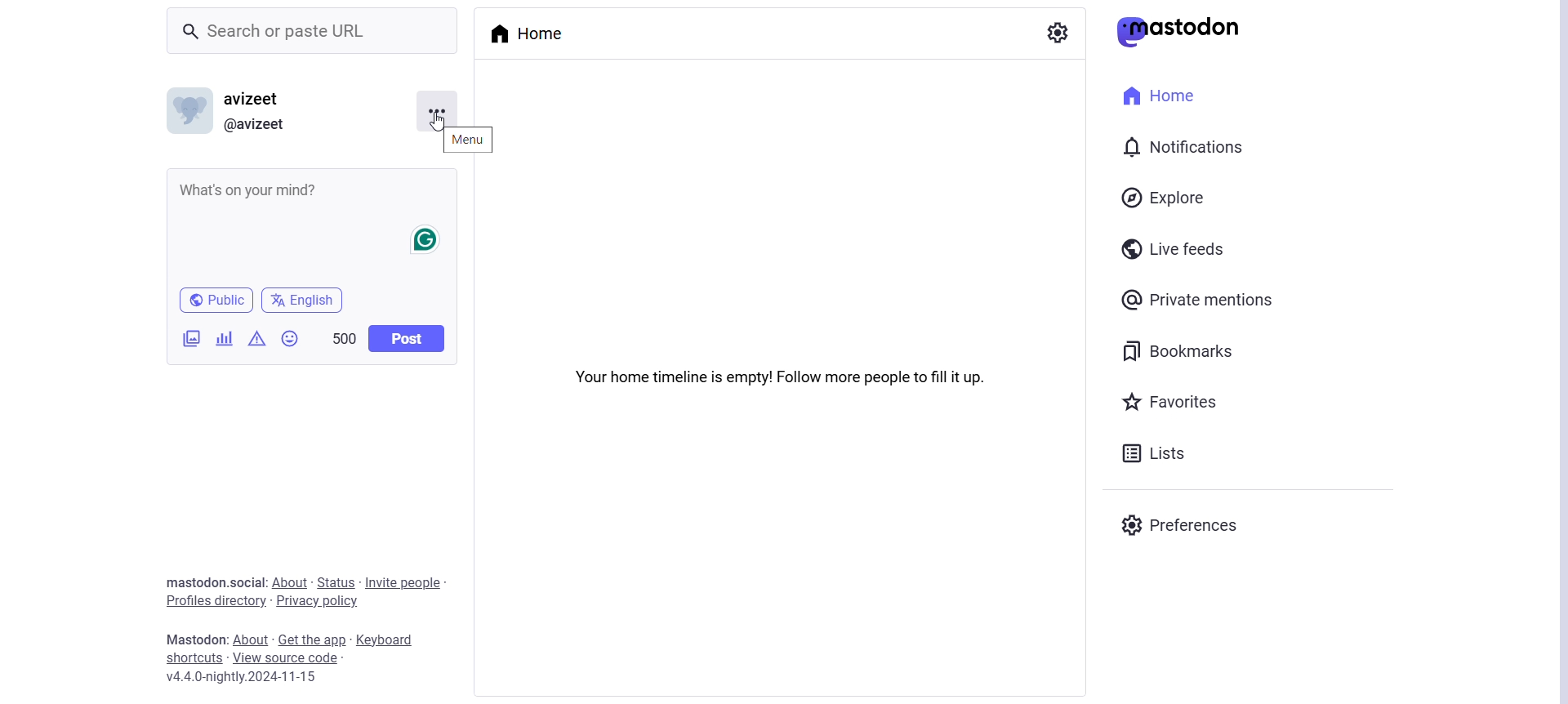 This screenshot has height=704, width=1568. Describe the element at coordinates (1183, 31) in the screenshot. I see `Mastodon` at that location.